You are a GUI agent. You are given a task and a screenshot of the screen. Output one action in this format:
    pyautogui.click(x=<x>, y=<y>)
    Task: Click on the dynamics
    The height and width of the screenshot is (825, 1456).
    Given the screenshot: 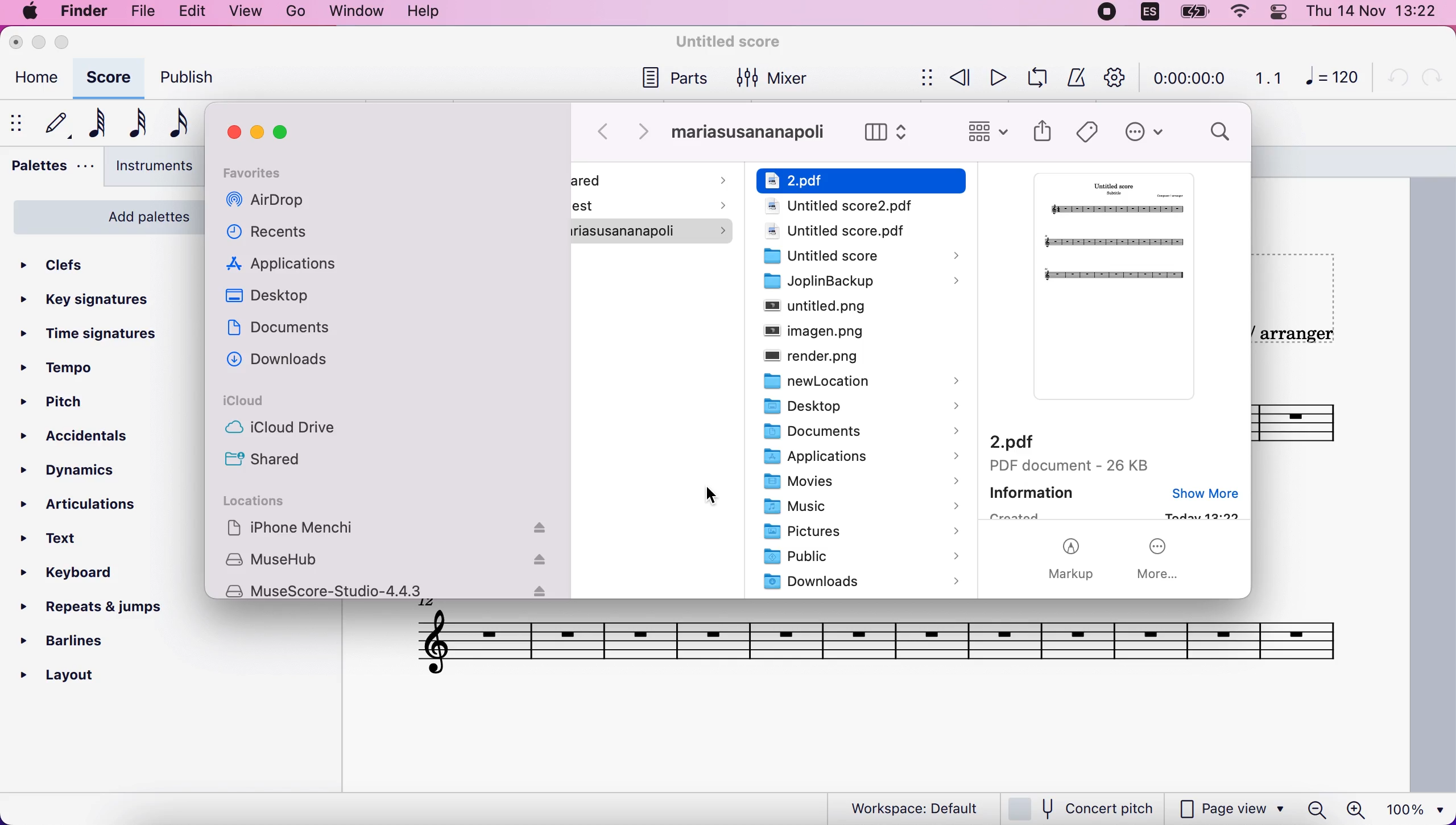 What is the action you would take?
    pyautogui.click(x=88, y=471)
    